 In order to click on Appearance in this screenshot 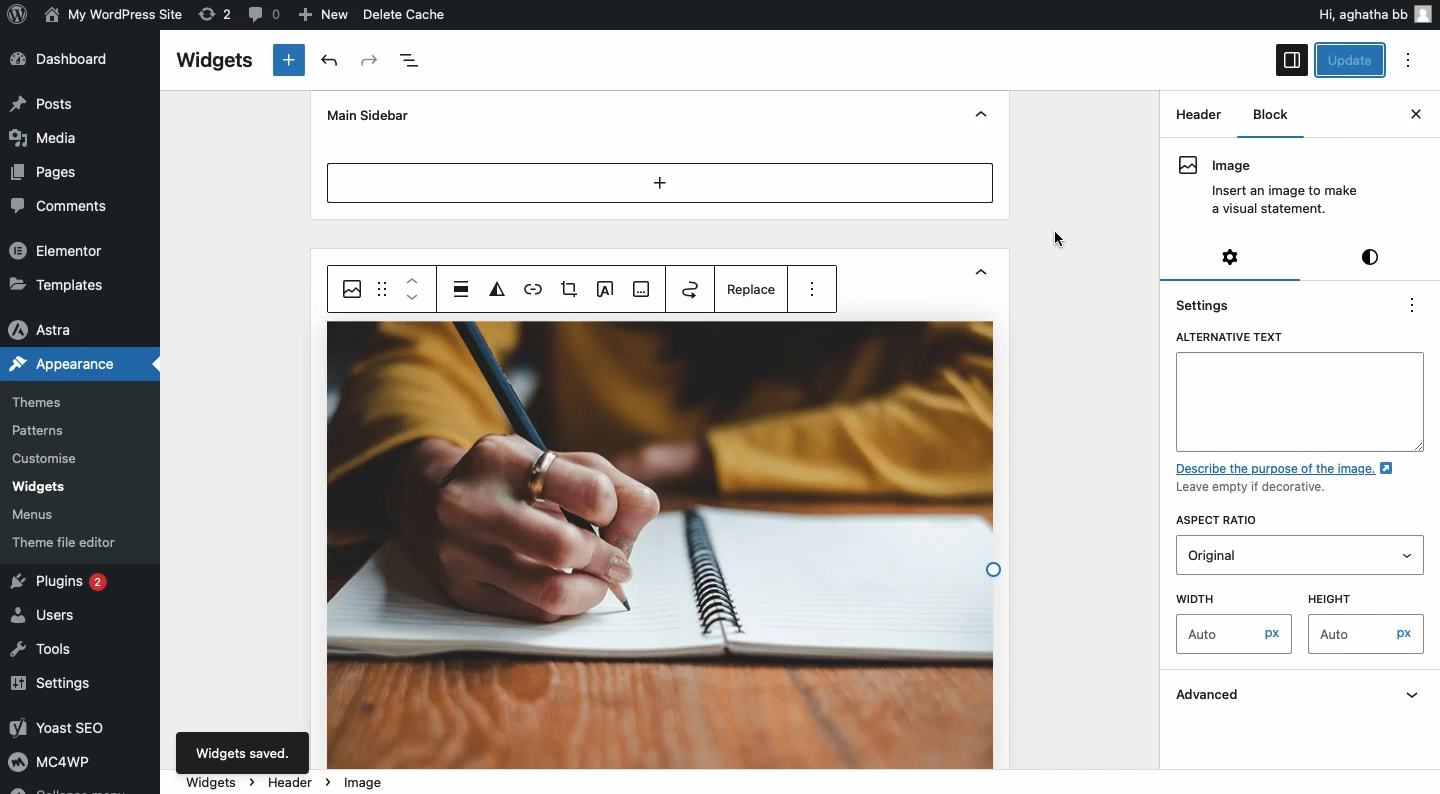, I will do `click(62, 362)`.